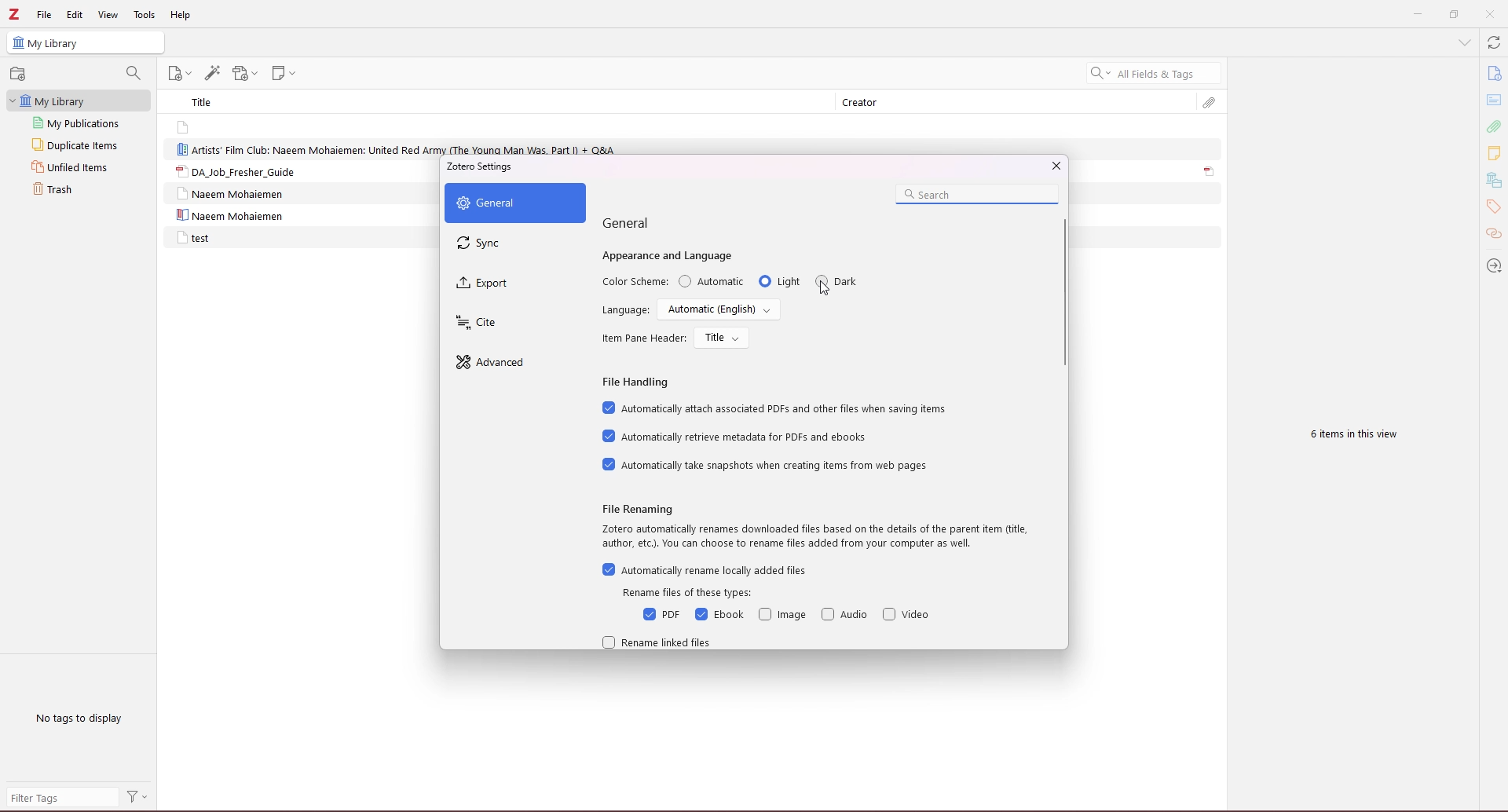 The height and width of the screenshot is (812, 1508). What do you see at coordinates (78, 144) in the screenshot?
I see `duplicate items` at bounding box center [78, 144].